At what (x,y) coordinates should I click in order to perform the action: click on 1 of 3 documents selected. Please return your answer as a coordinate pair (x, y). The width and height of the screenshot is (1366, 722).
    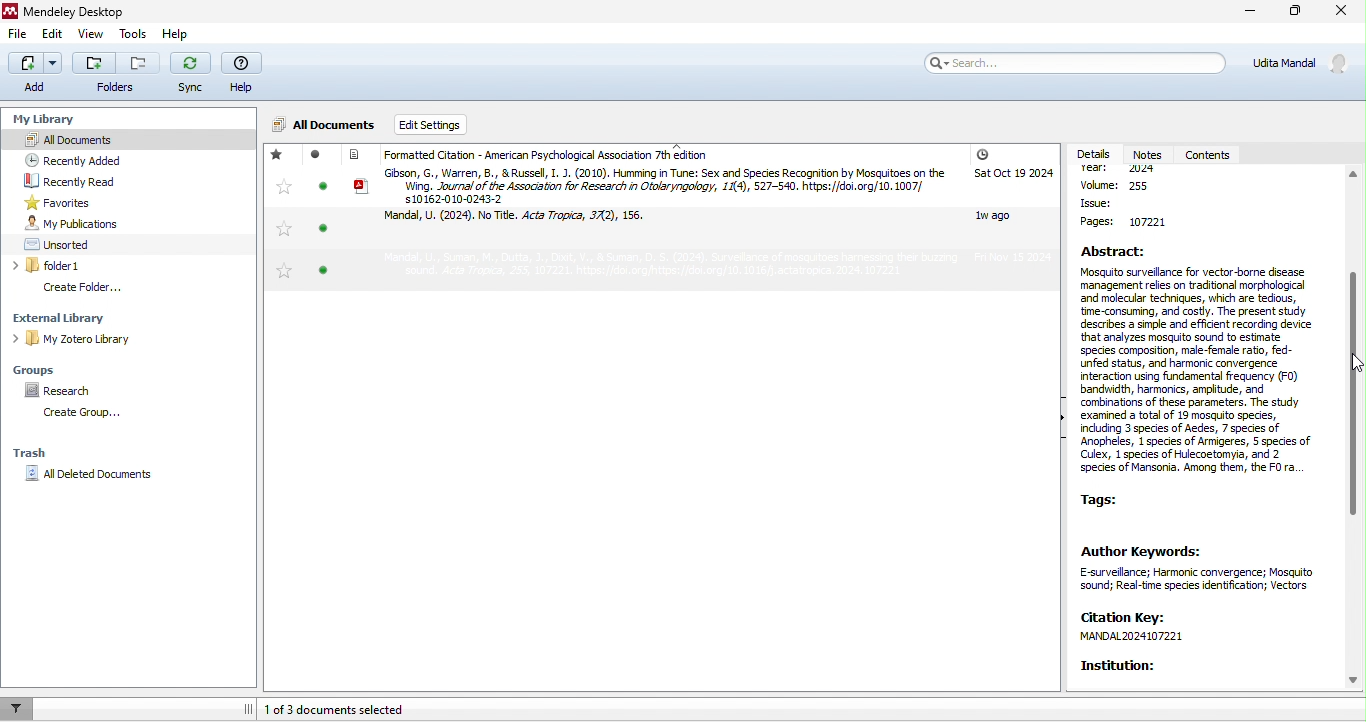
    Looking at the image, I should click on (360, 708).